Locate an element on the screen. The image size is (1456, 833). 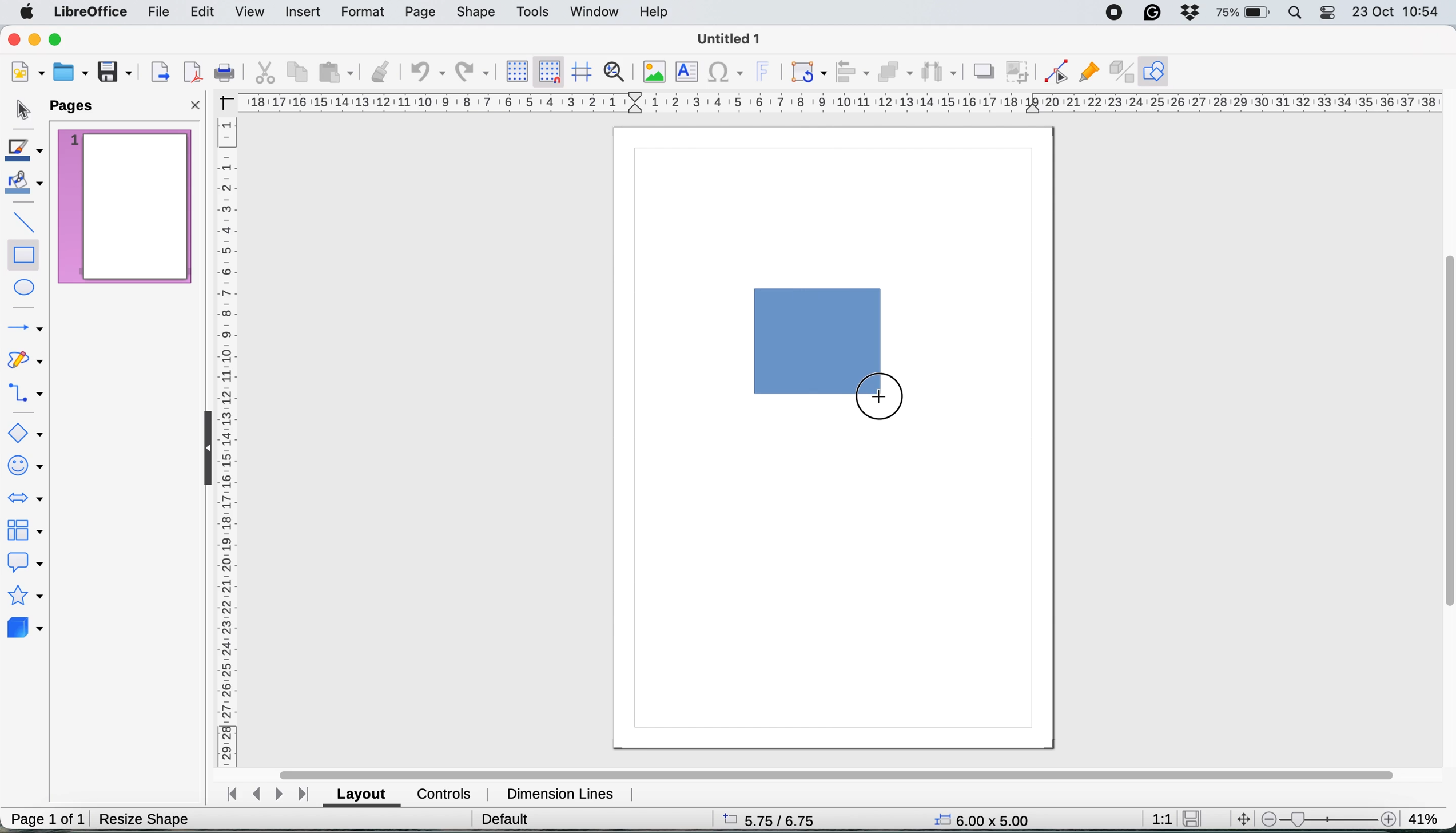
1:1 is located at coordinates (1160, 817).